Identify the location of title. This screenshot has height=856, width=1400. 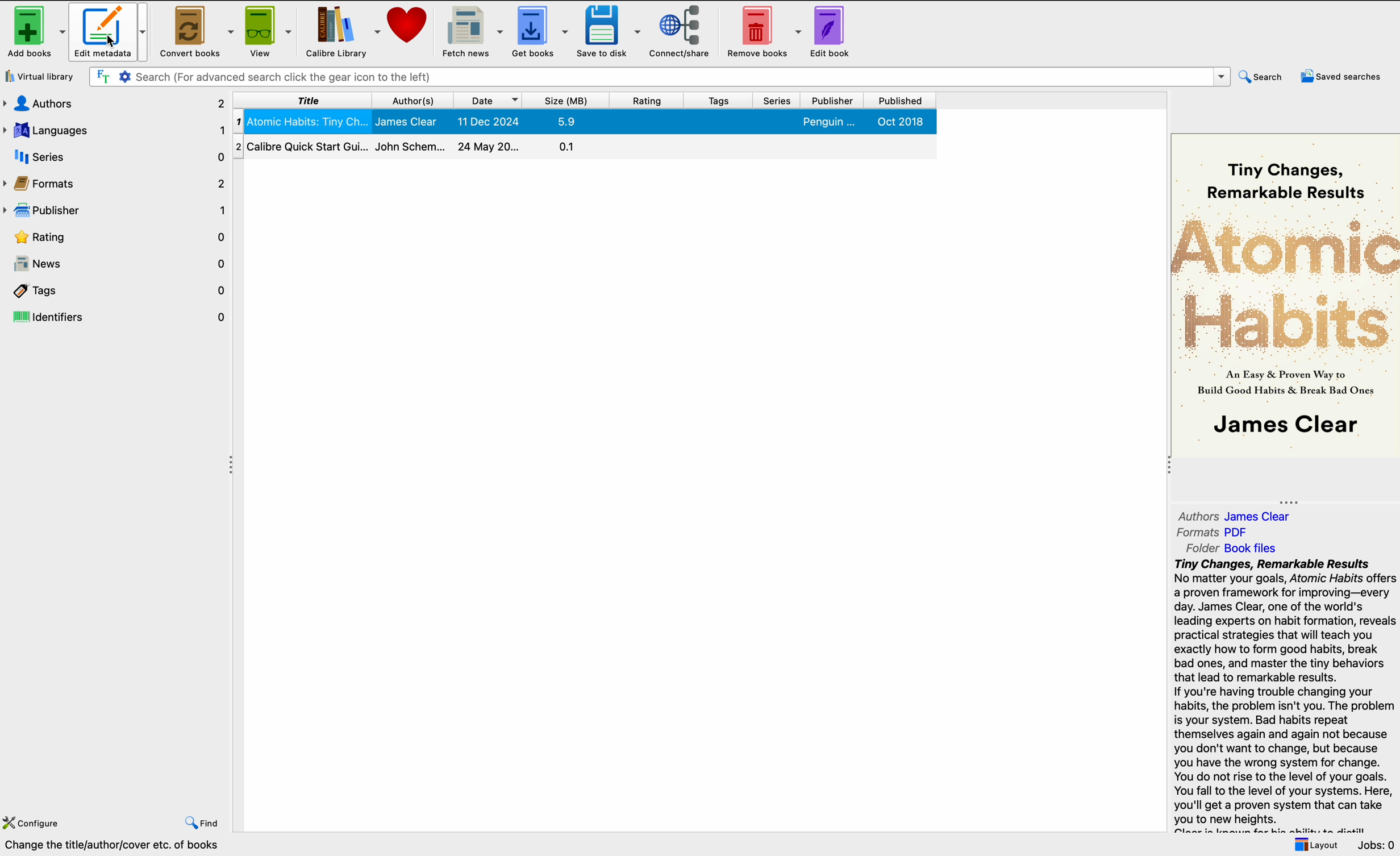
(303, 101).